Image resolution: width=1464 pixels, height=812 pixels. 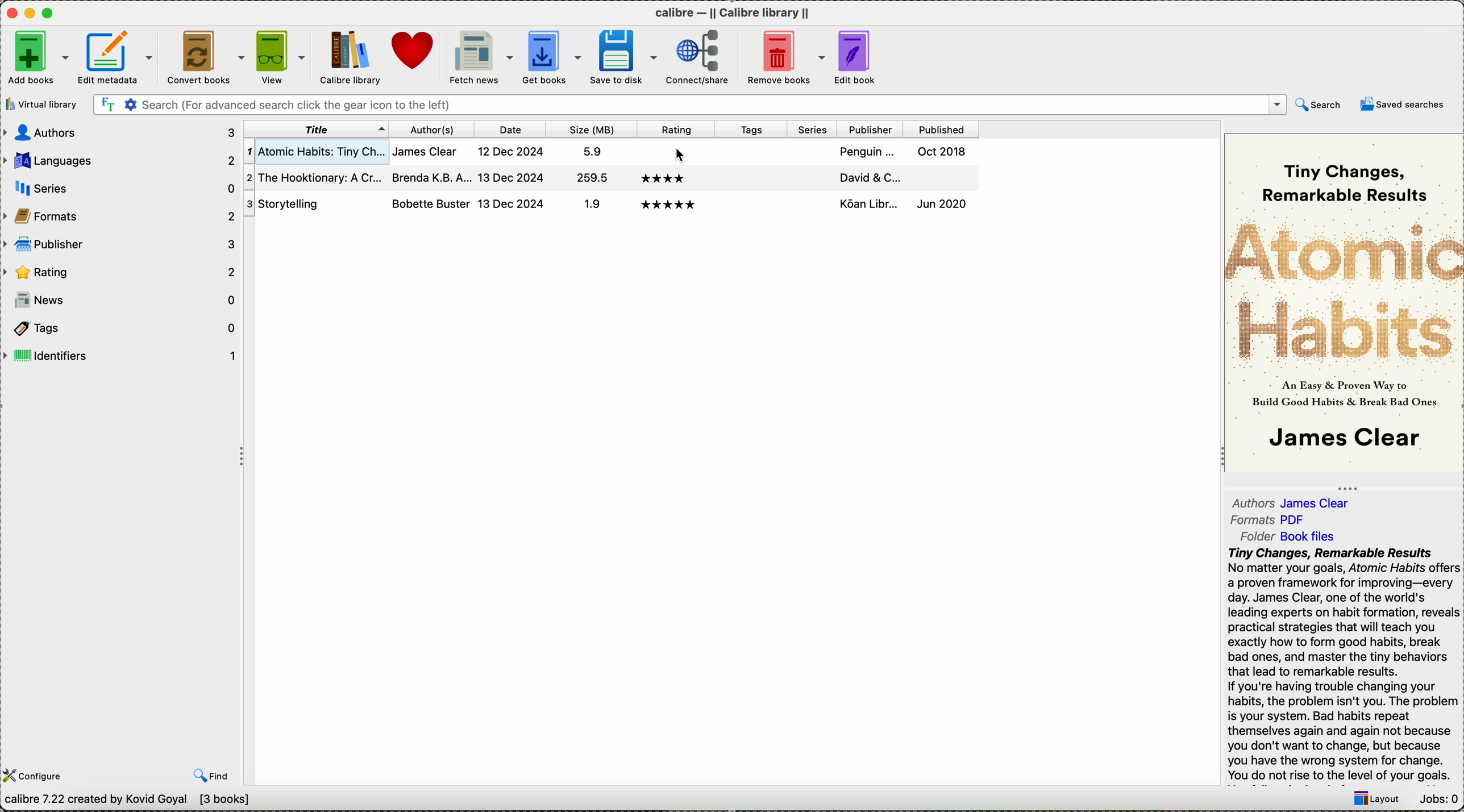 I want to click on series, so click(x=814, y=151).